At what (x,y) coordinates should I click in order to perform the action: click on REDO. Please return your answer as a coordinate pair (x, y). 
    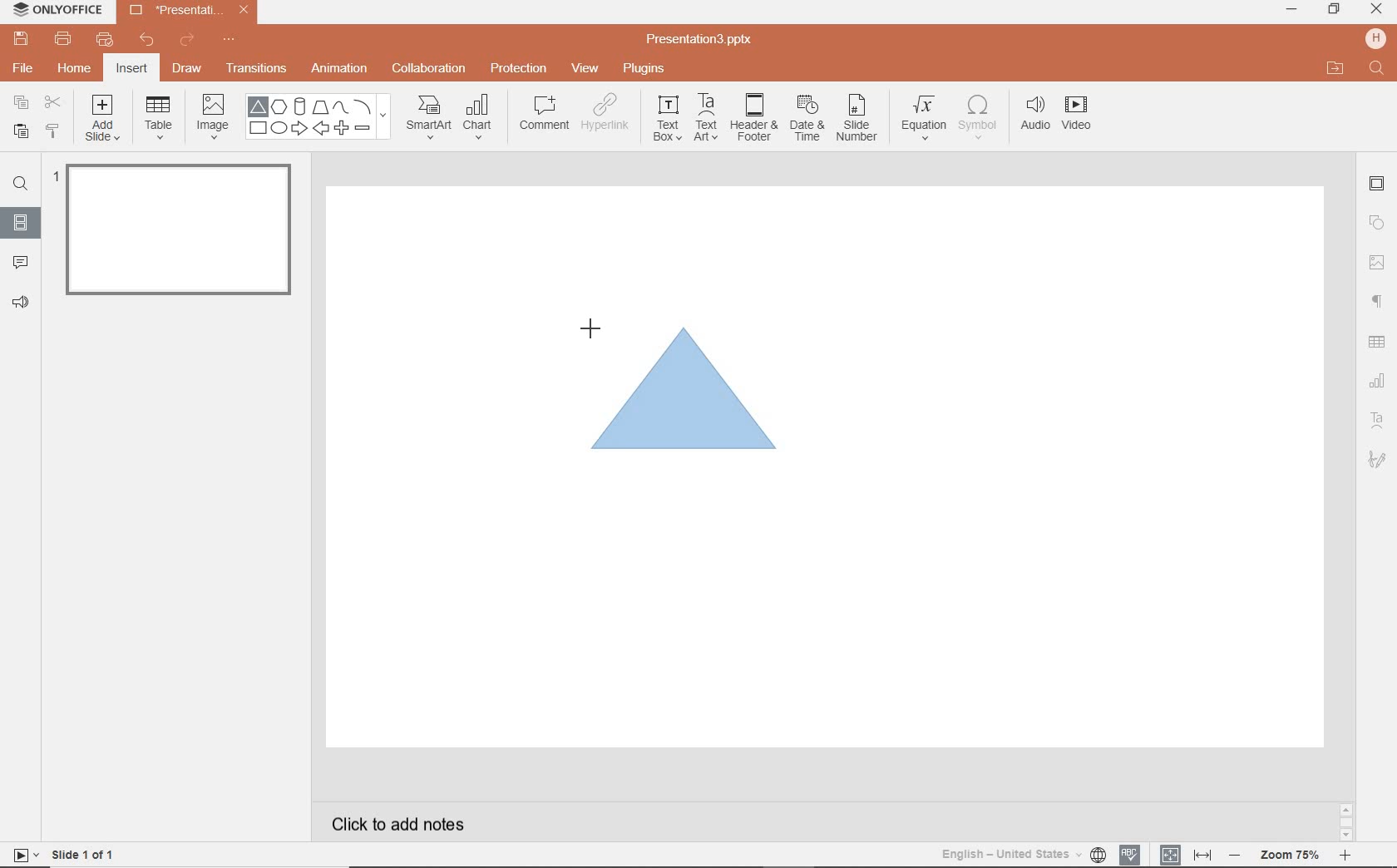
    Looking at the image, I should click on (189, 41).